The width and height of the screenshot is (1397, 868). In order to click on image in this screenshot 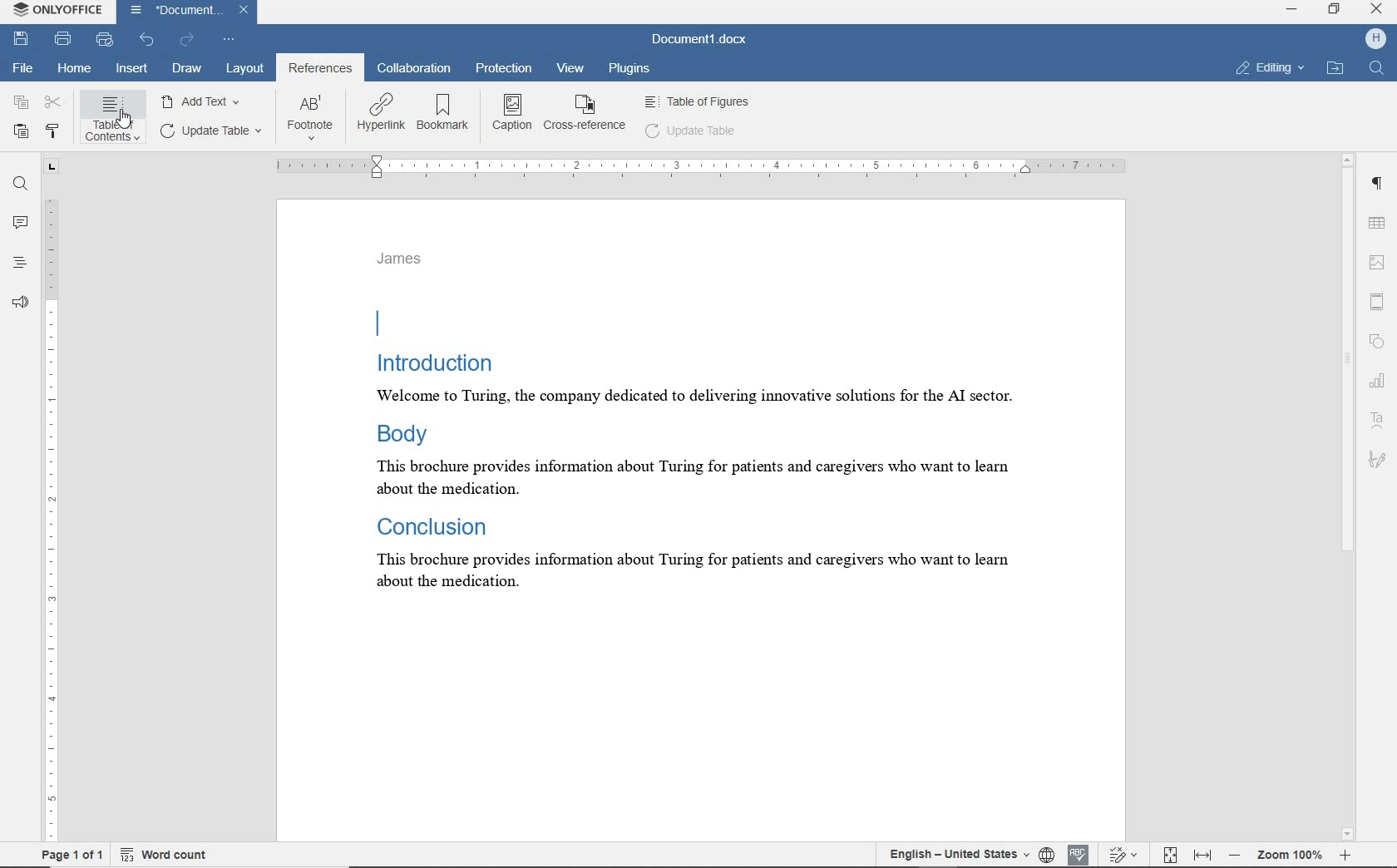, I will do `click(1378, 261)`.